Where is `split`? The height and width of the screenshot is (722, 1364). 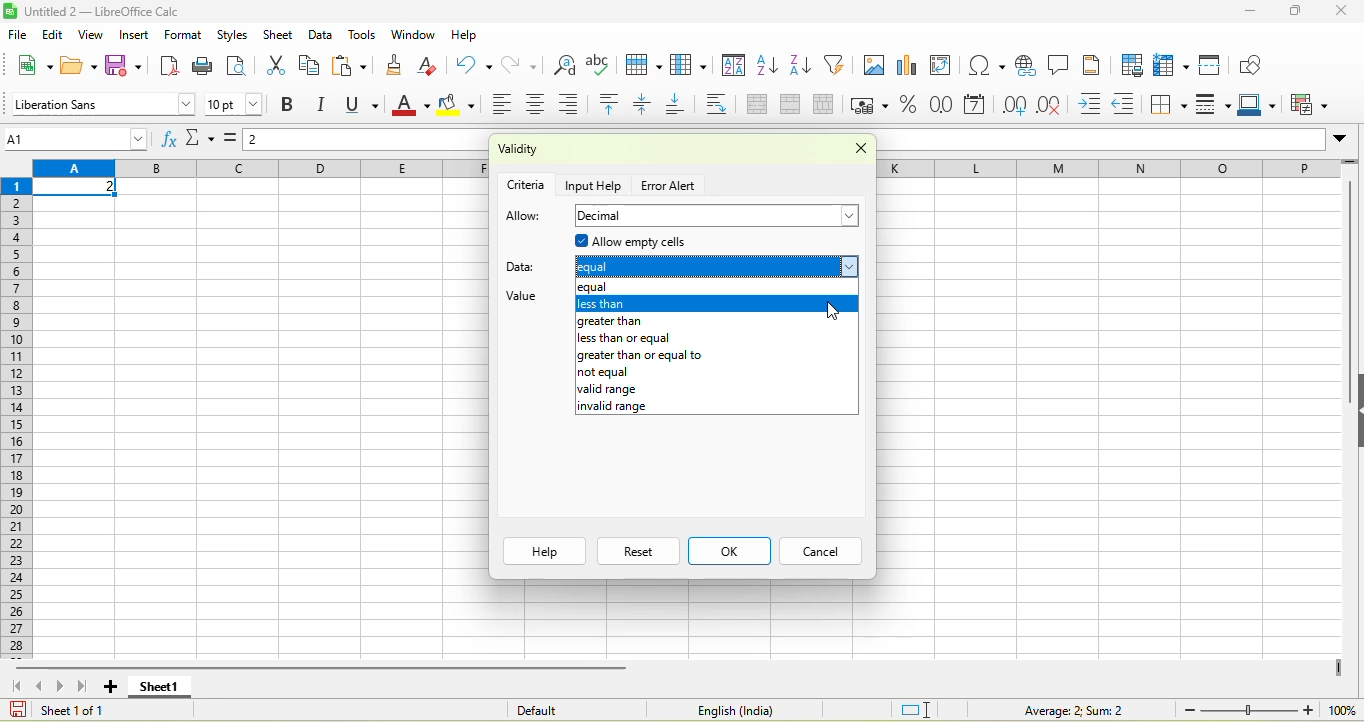
split is located at coordinates (828, 105).